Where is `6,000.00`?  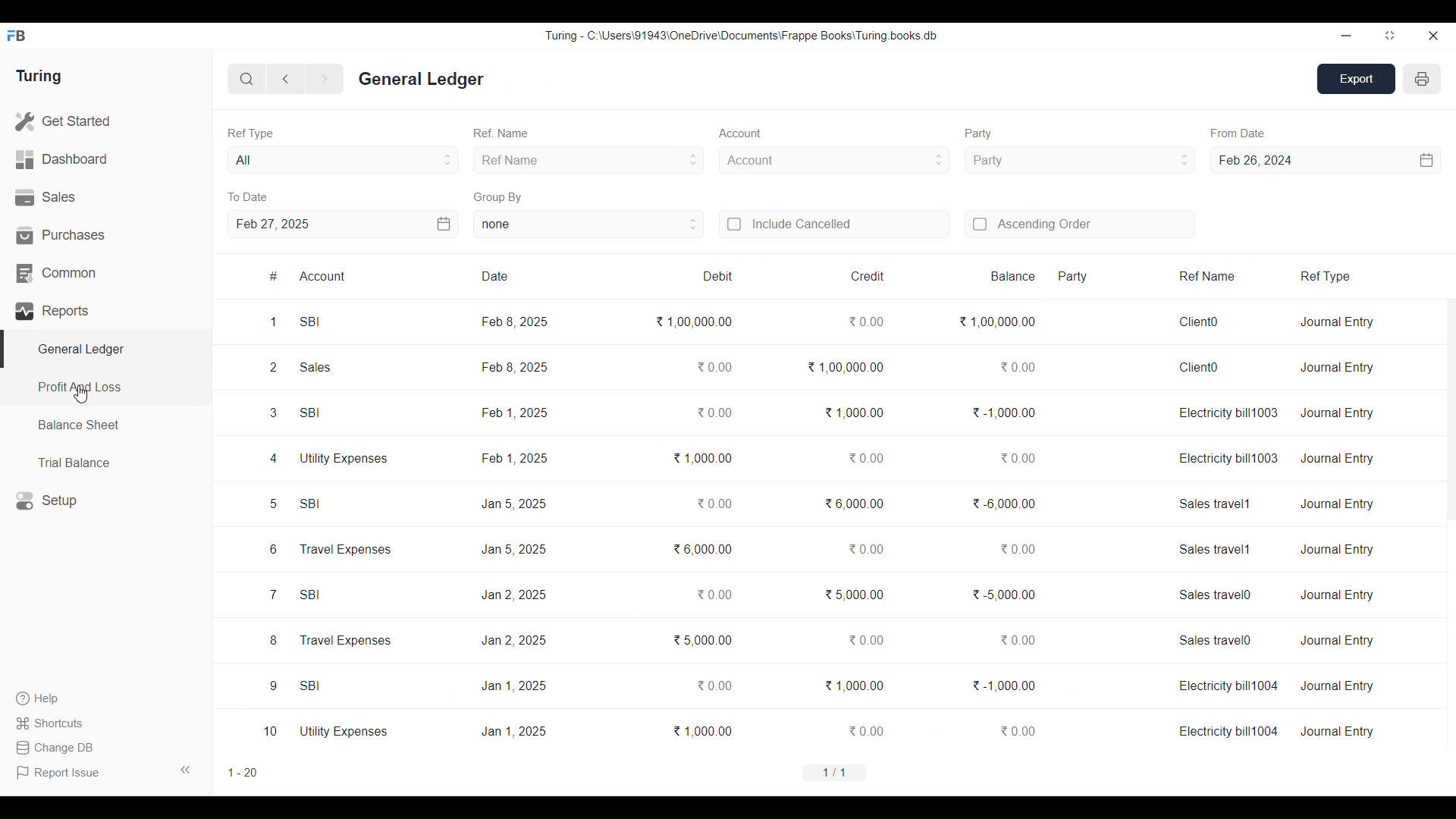
6,000.00 is located at coordinates (854, 503).